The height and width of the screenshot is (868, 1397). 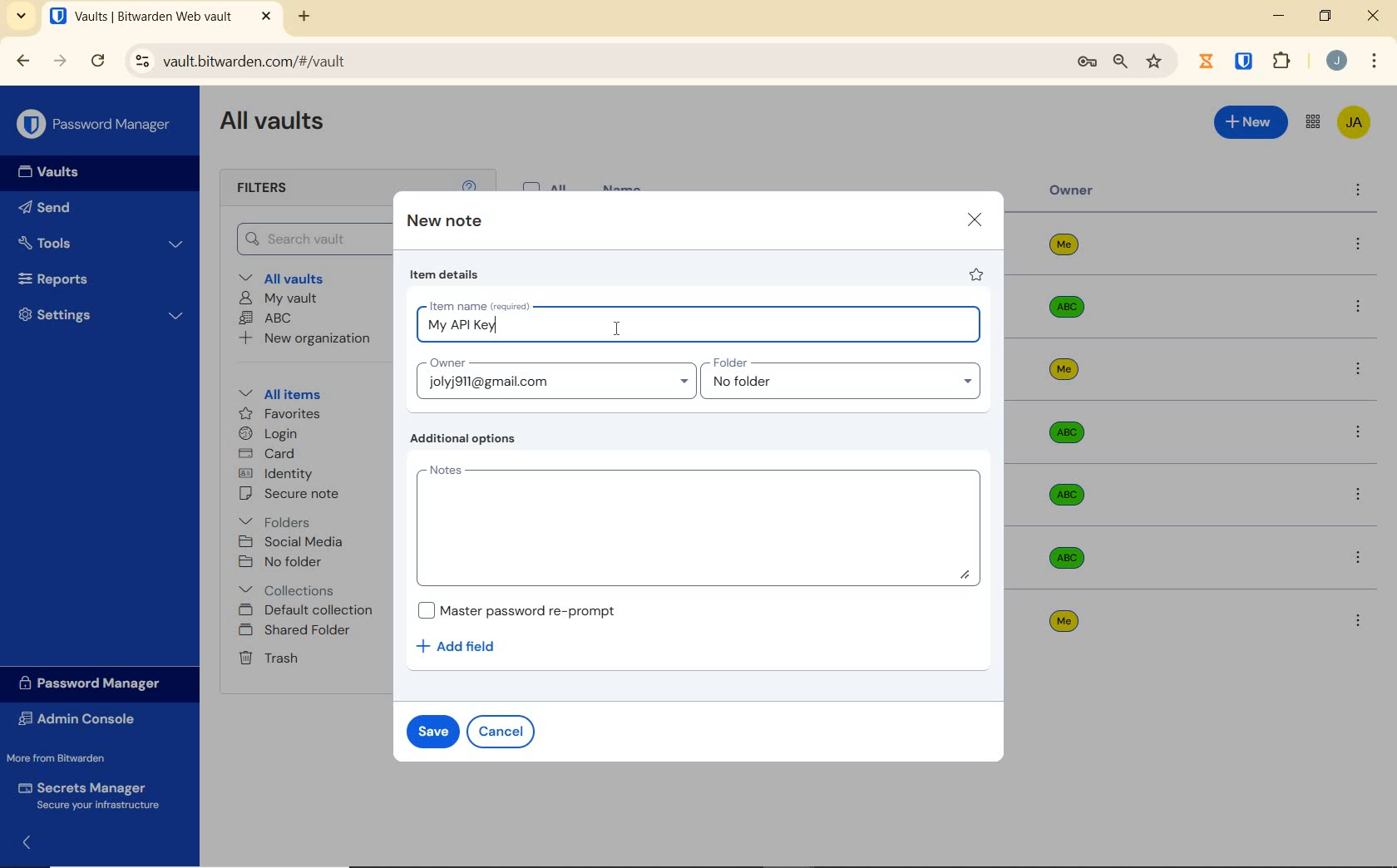 I want to click on All, so click(x=548, y=184).